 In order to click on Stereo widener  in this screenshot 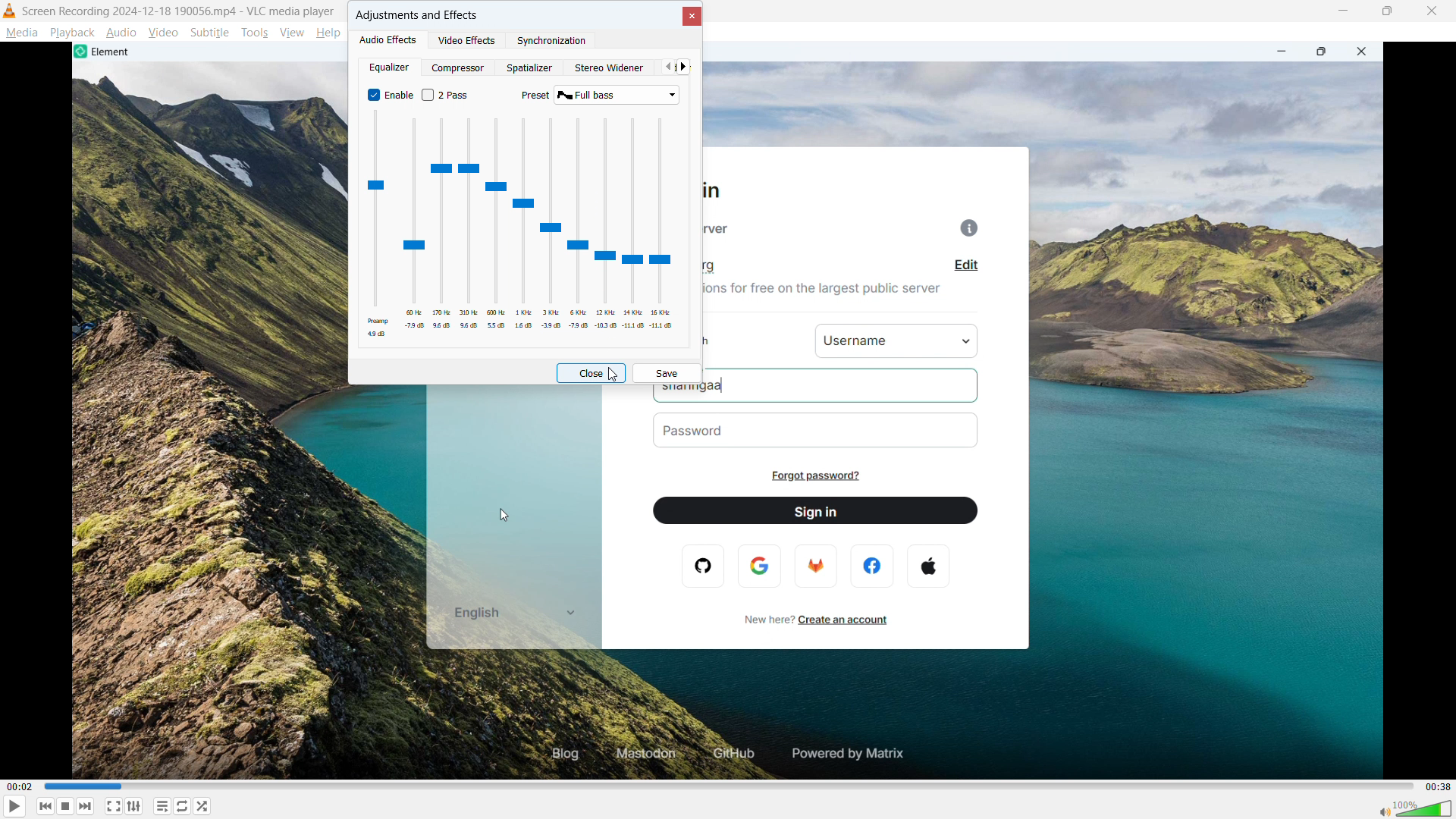, I will do `click(610, 67)`.